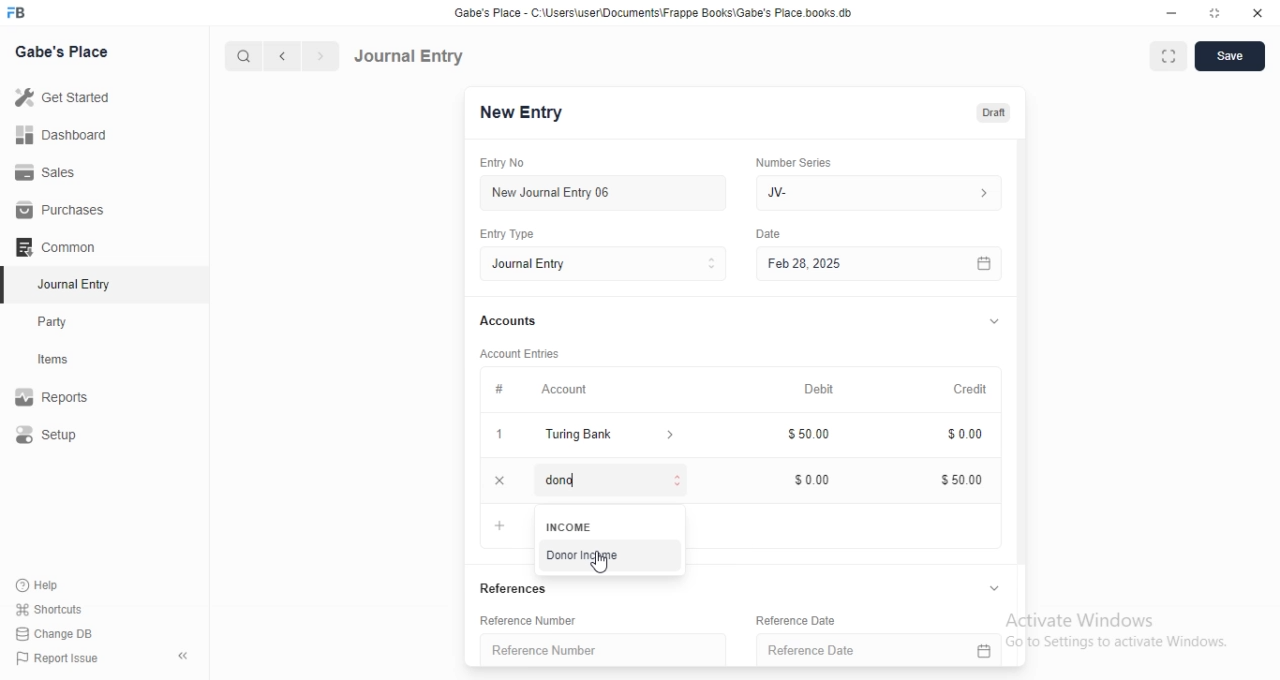  What do you see at coordinates (528, 352) in the screenshot?
I see `‘Account Entries.` at bounding box center [528, 352].